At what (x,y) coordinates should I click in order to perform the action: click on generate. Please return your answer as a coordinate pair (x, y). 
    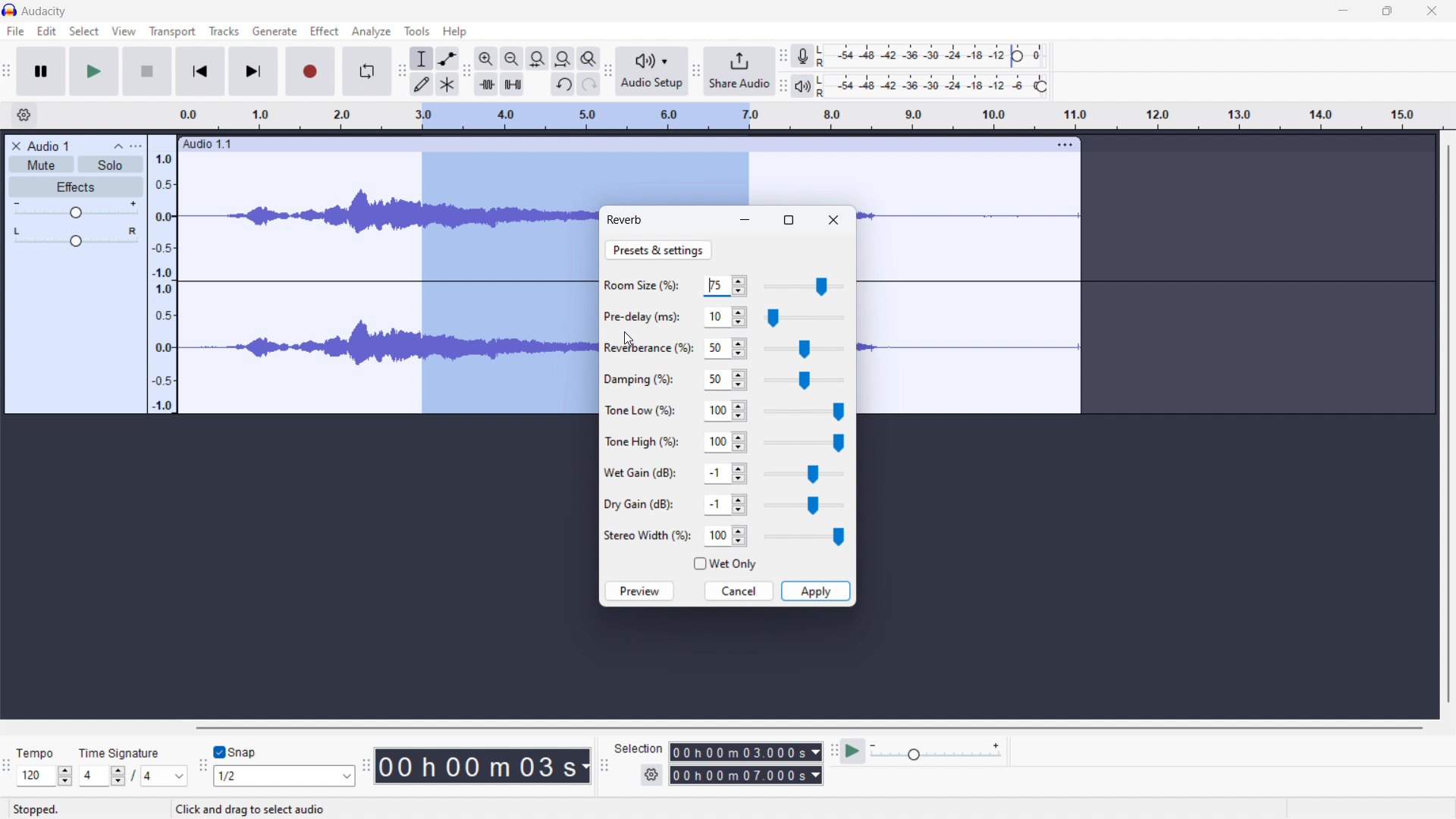
    Looking at the image, I should click on (273, 31).